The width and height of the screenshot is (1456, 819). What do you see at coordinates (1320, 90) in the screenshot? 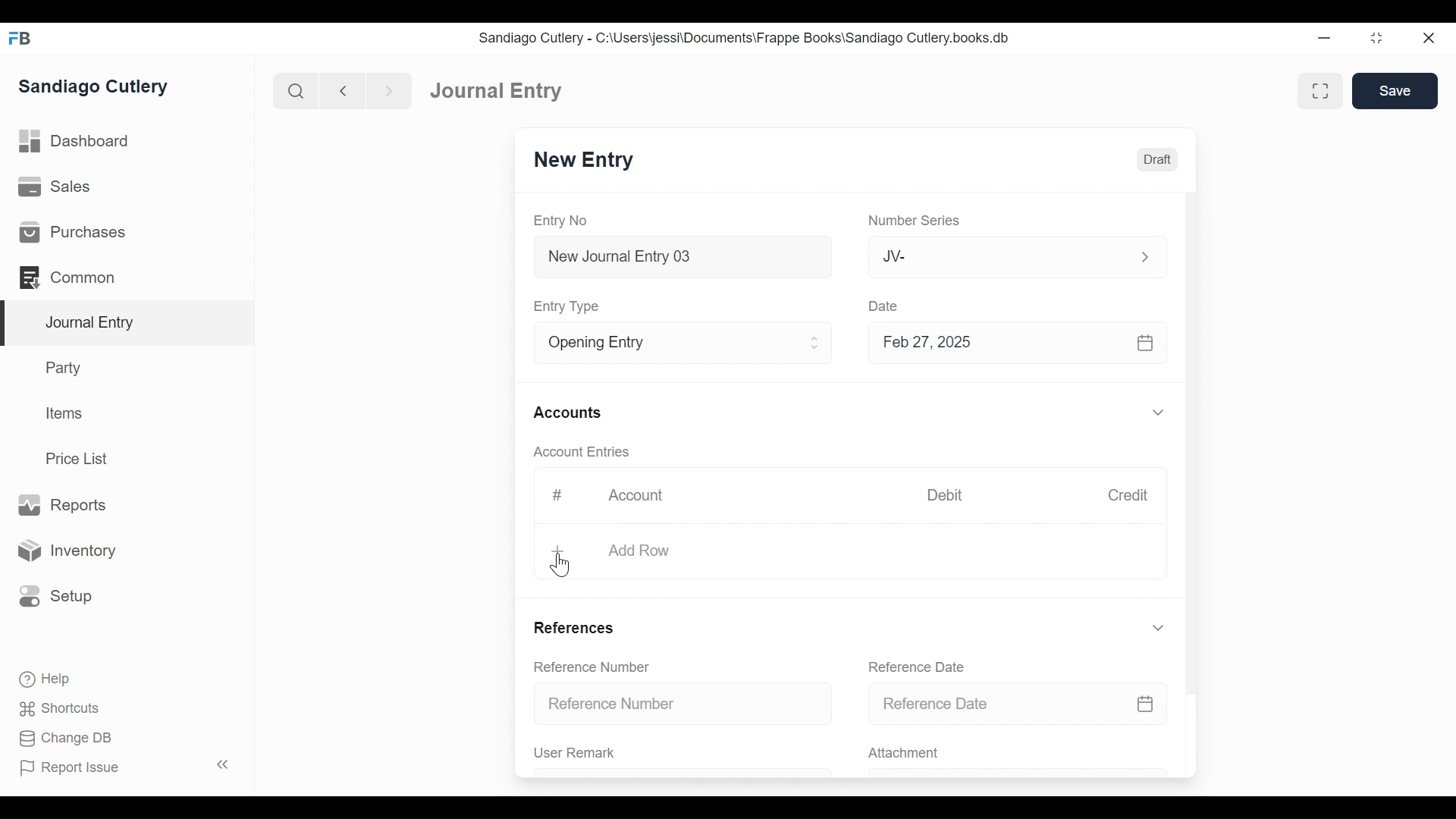
I see `Toggle between form and full width` at bounding box center [1320, 90].